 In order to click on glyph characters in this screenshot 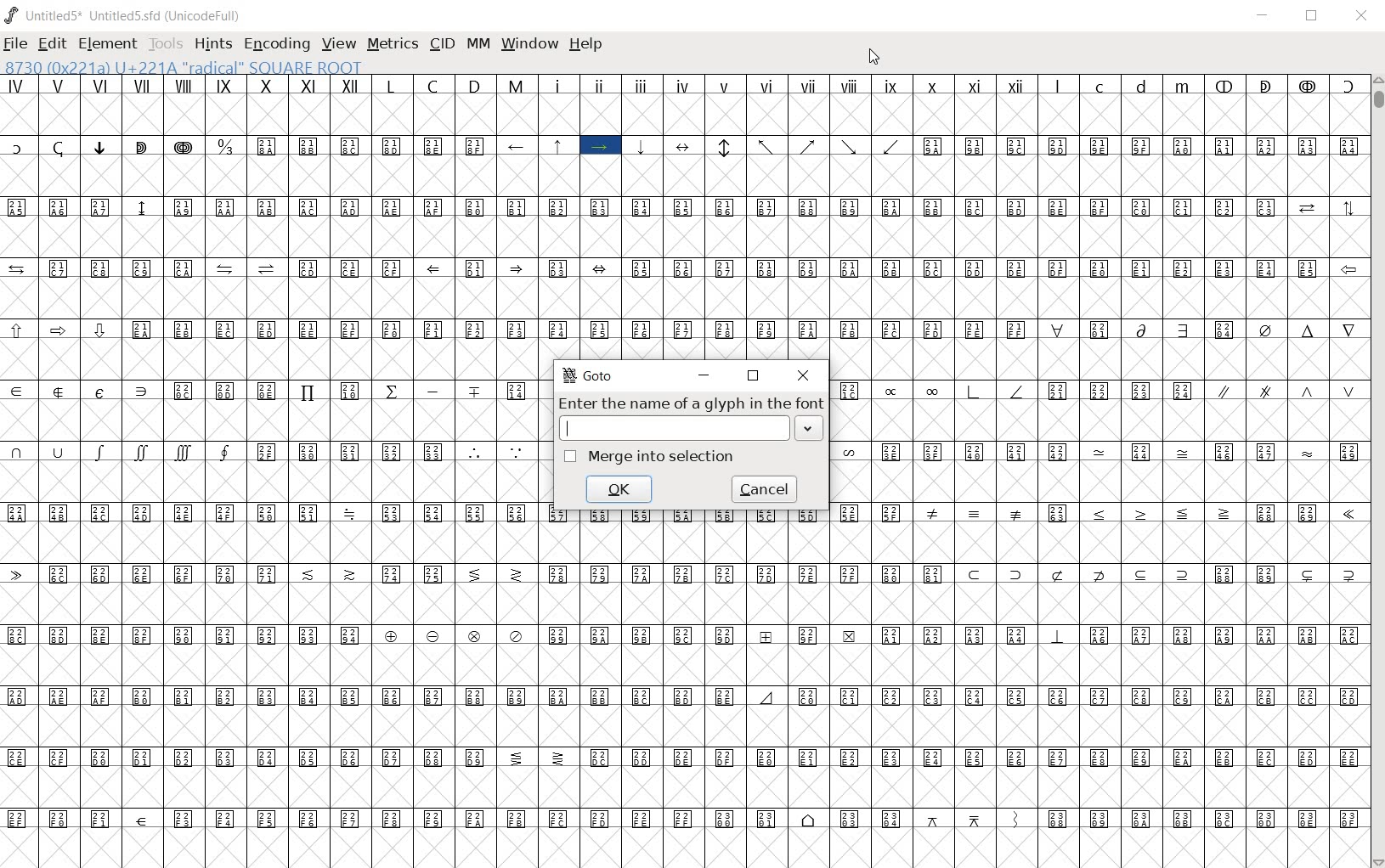, I will do `click(954, 194)`.